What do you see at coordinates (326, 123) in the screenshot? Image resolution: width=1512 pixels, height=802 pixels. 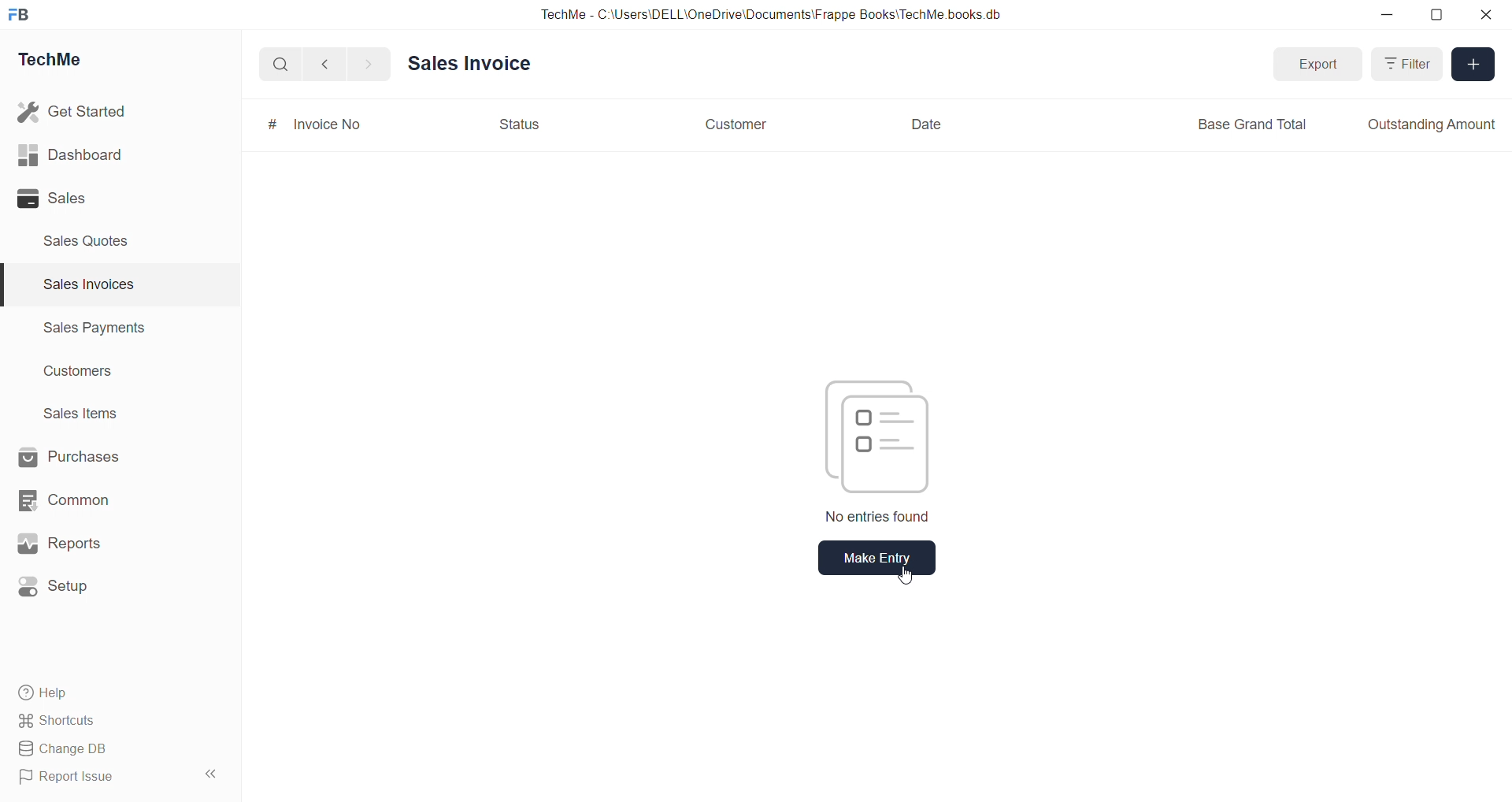 I see `Invoice No` at bounding box center [326, 123].